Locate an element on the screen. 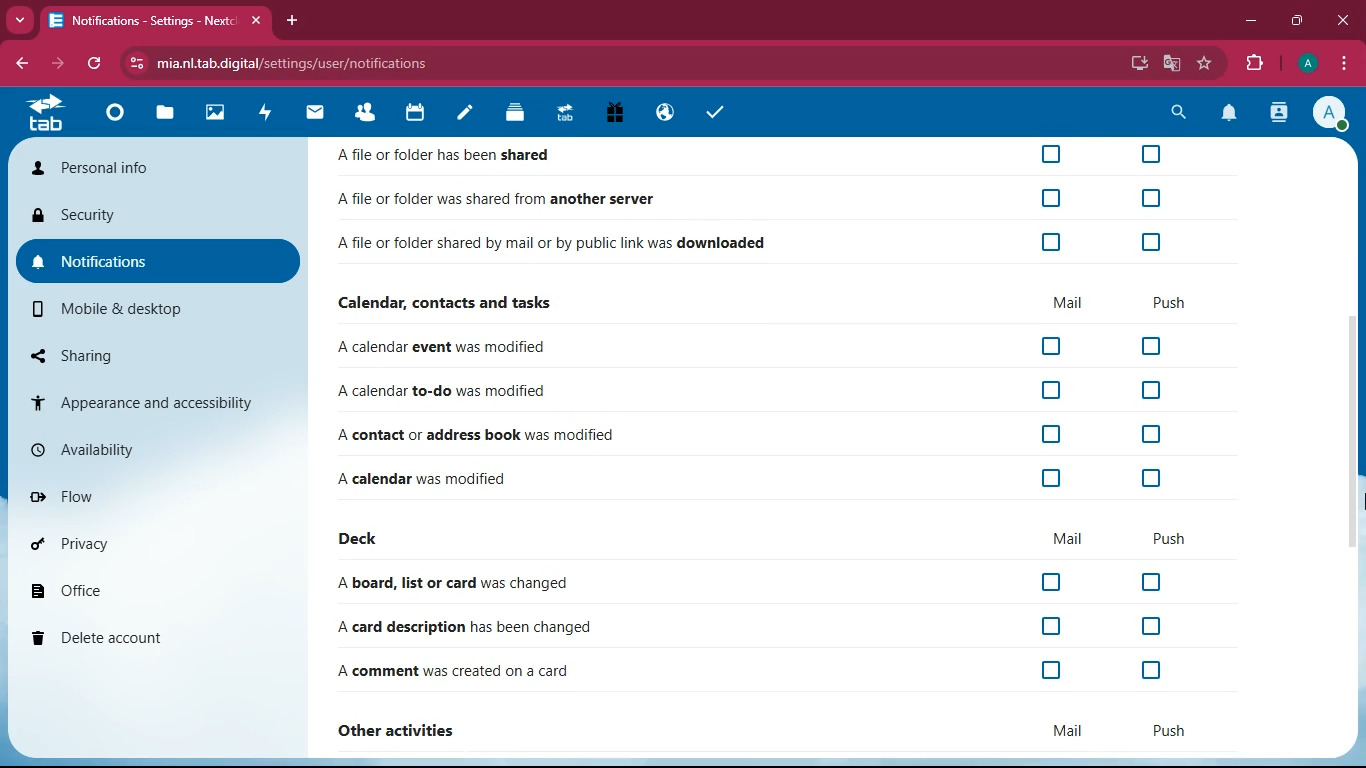 This screenshot has height=768, width=1366. Email Hosting is located at coordinates (666, 115).